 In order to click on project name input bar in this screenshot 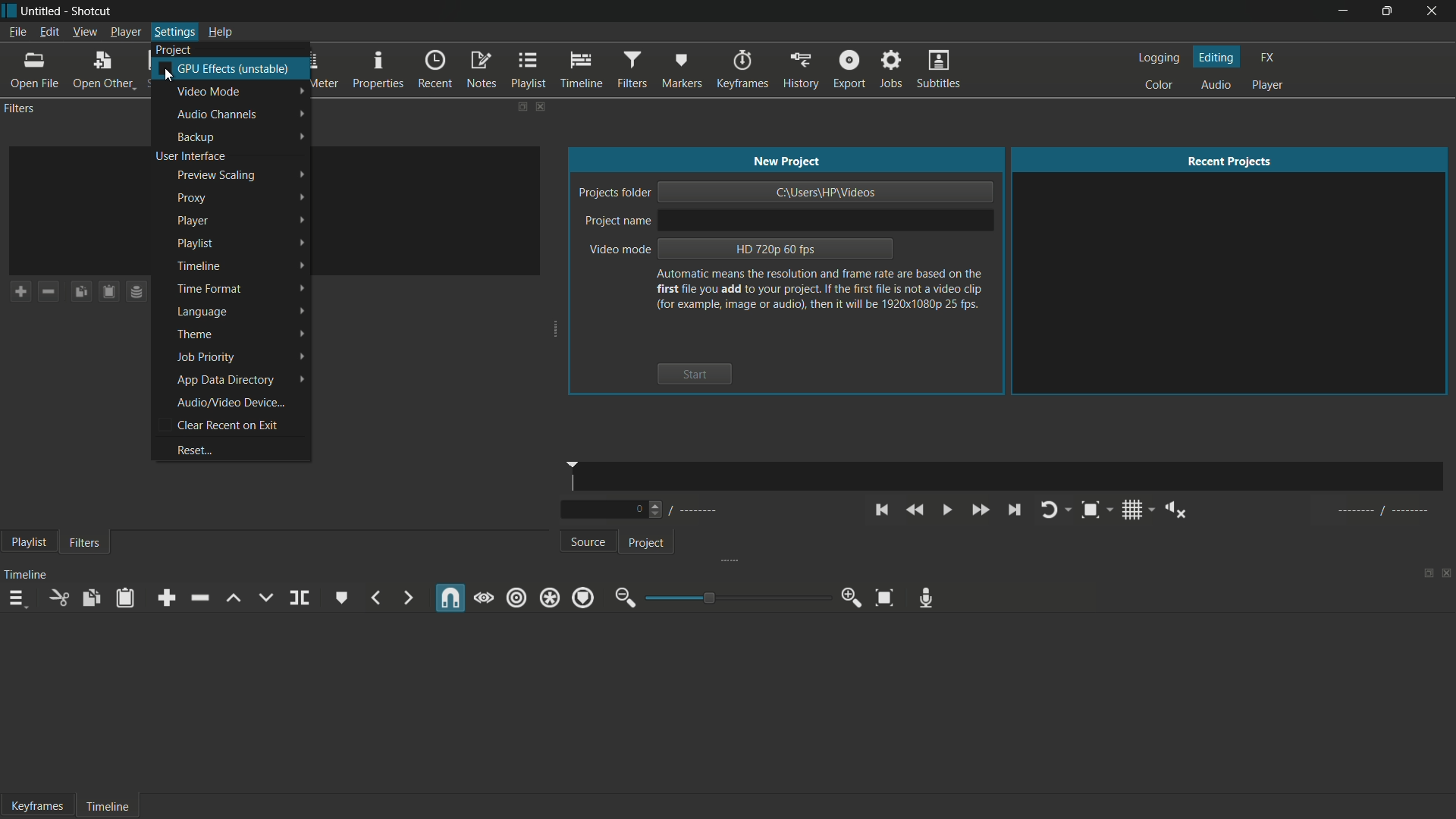, I will do `click(825, 219)`.